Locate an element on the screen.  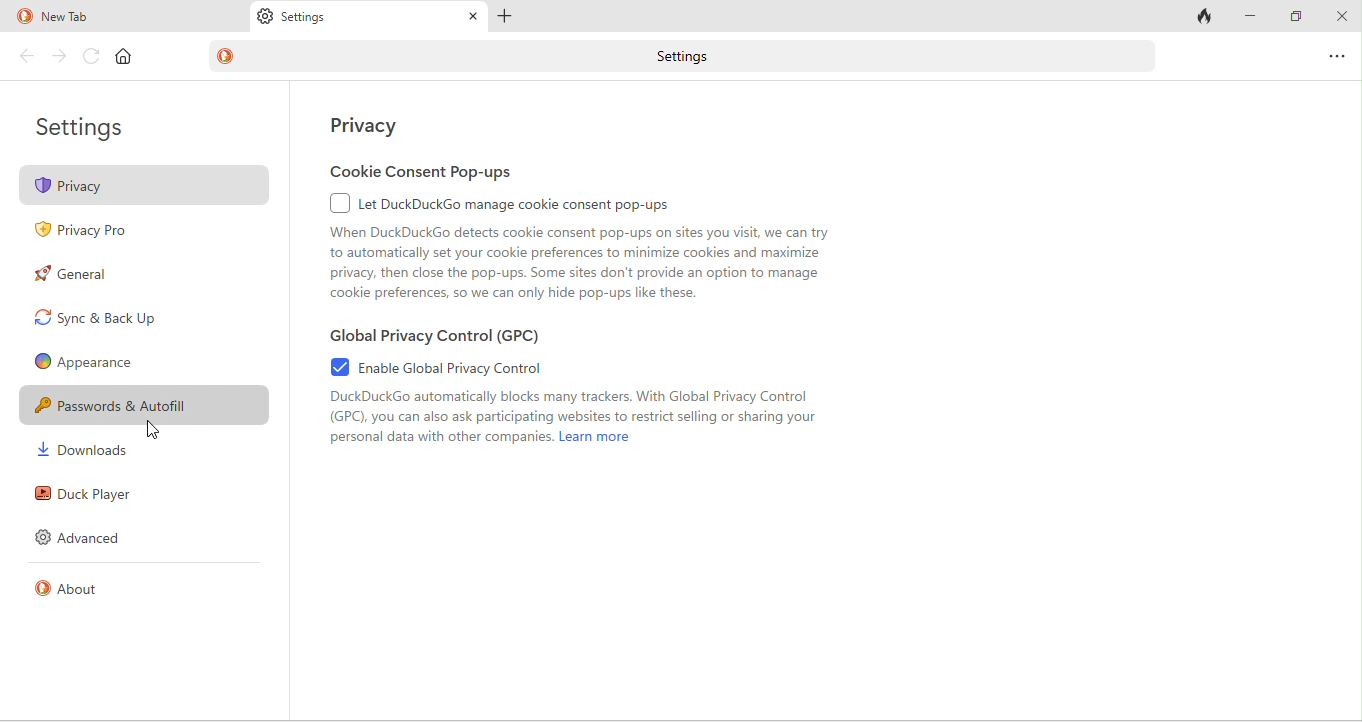
close tabs and clear data is located at coordinates (1206, 17).